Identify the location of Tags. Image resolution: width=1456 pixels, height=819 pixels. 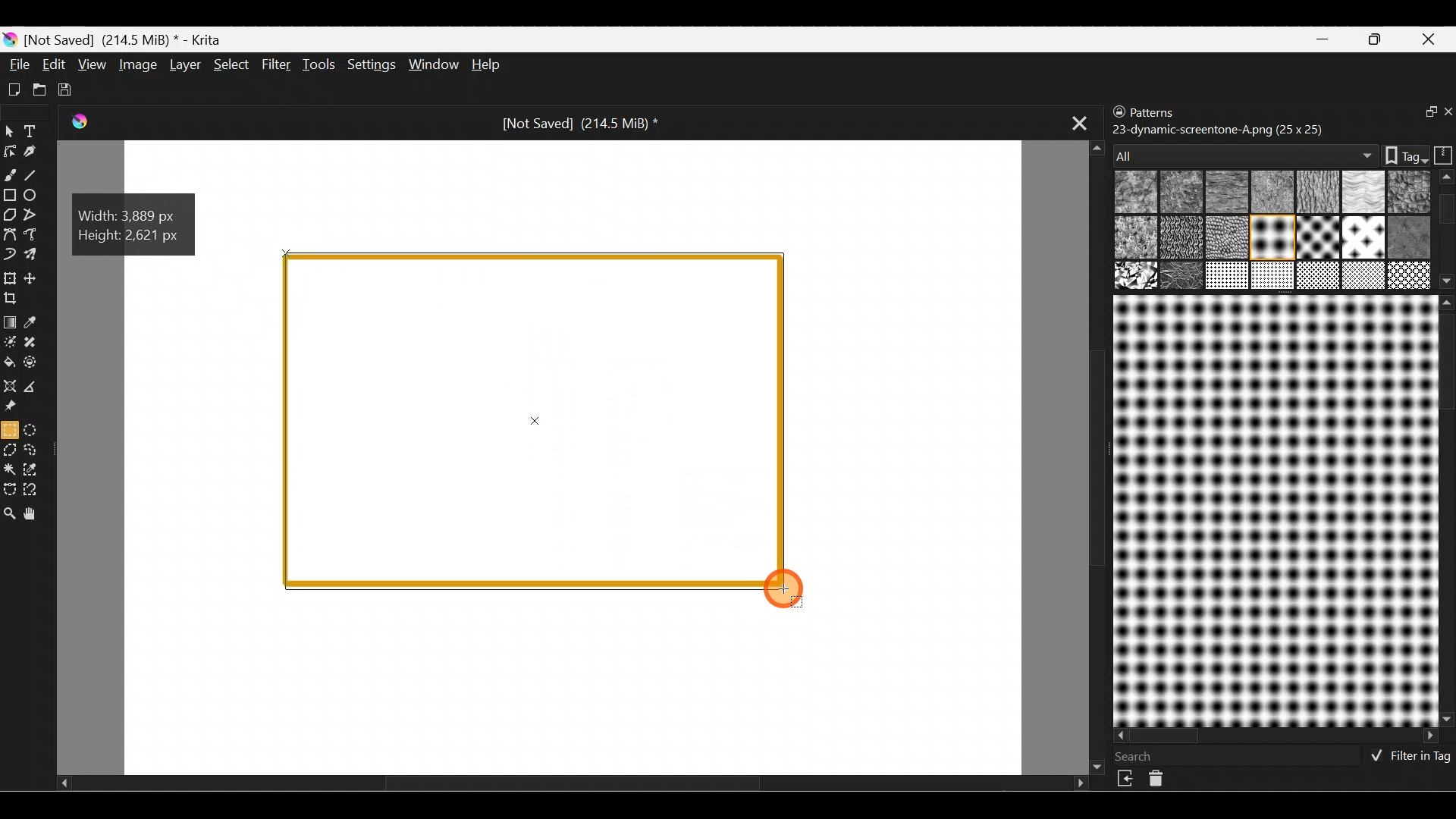
(1398, 154).